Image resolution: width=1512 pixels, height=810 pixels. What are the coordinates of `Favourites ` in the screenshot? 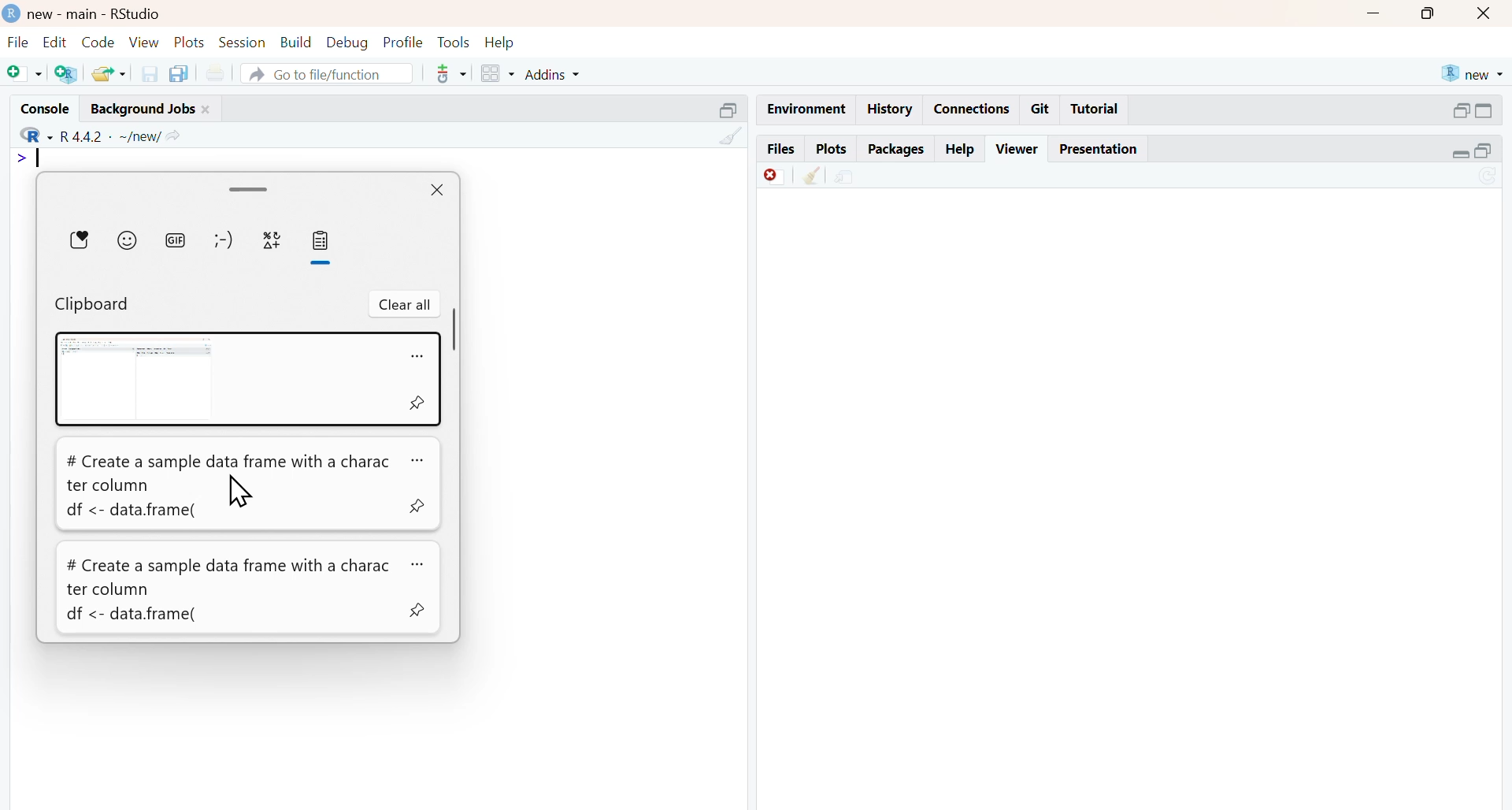 It's located at (80, 240).